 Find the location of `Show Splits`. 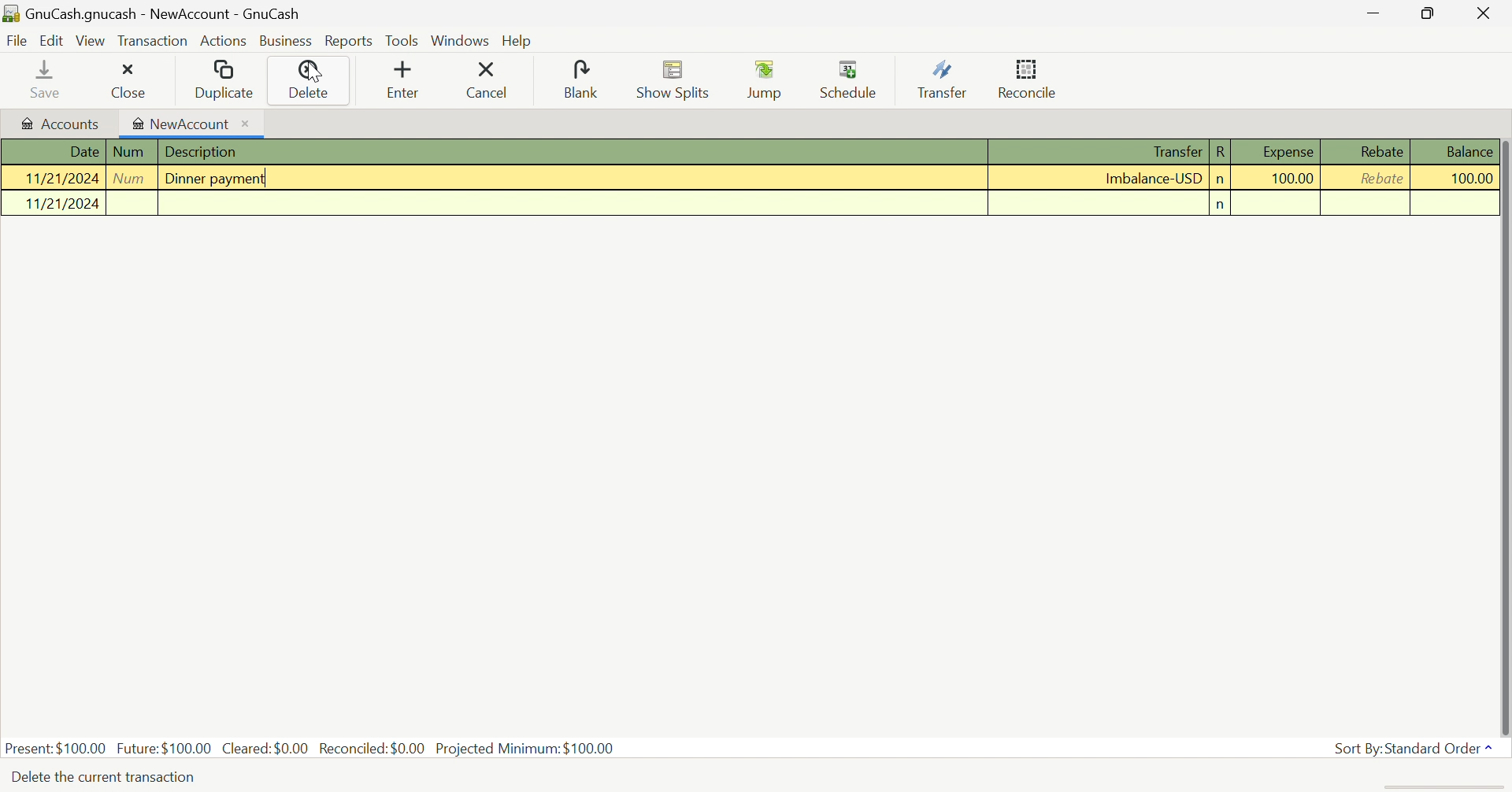

Show Splits is located at coordinates (675, 80).